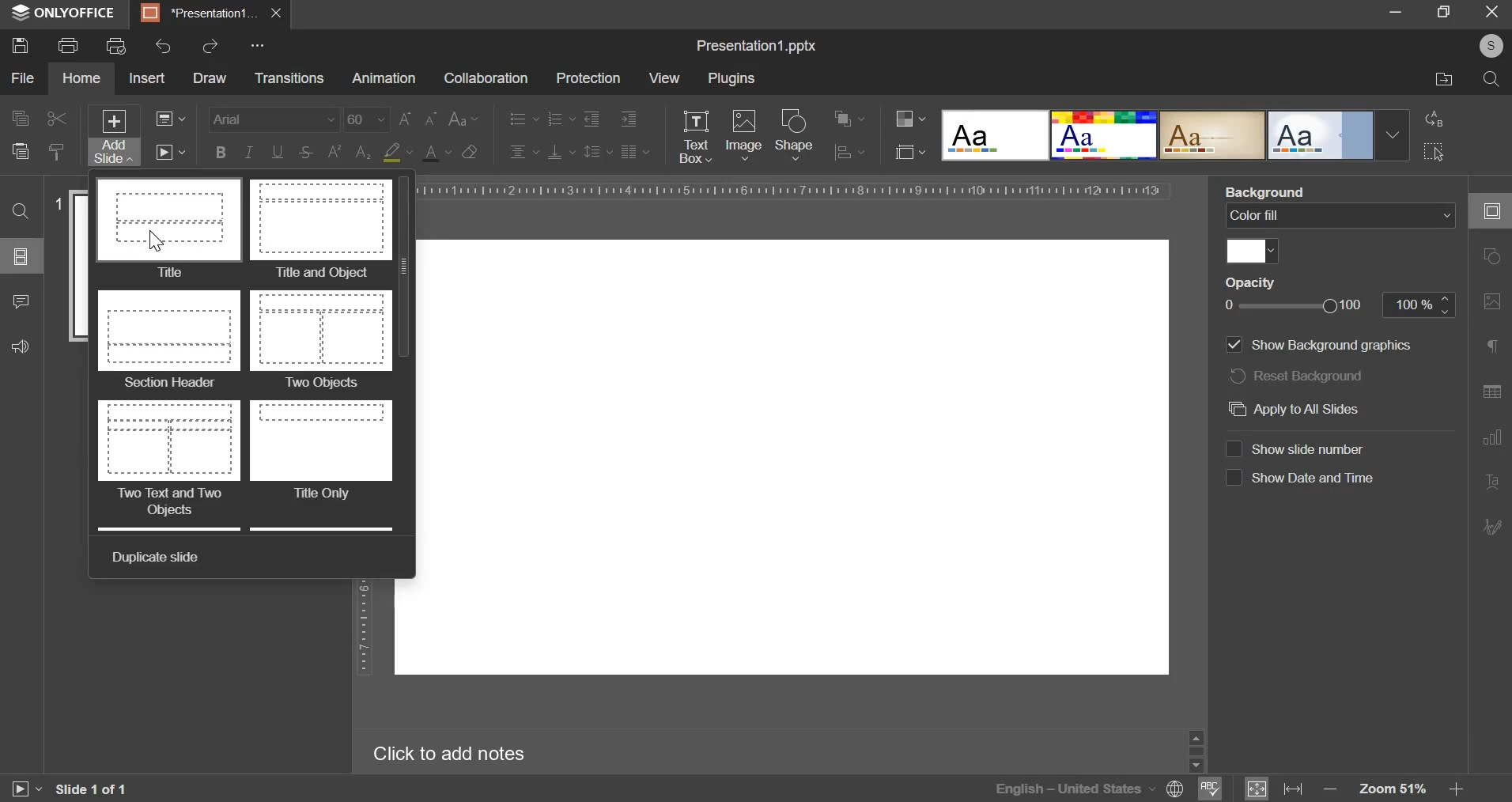  I want to click on shape, so click(795, 134).